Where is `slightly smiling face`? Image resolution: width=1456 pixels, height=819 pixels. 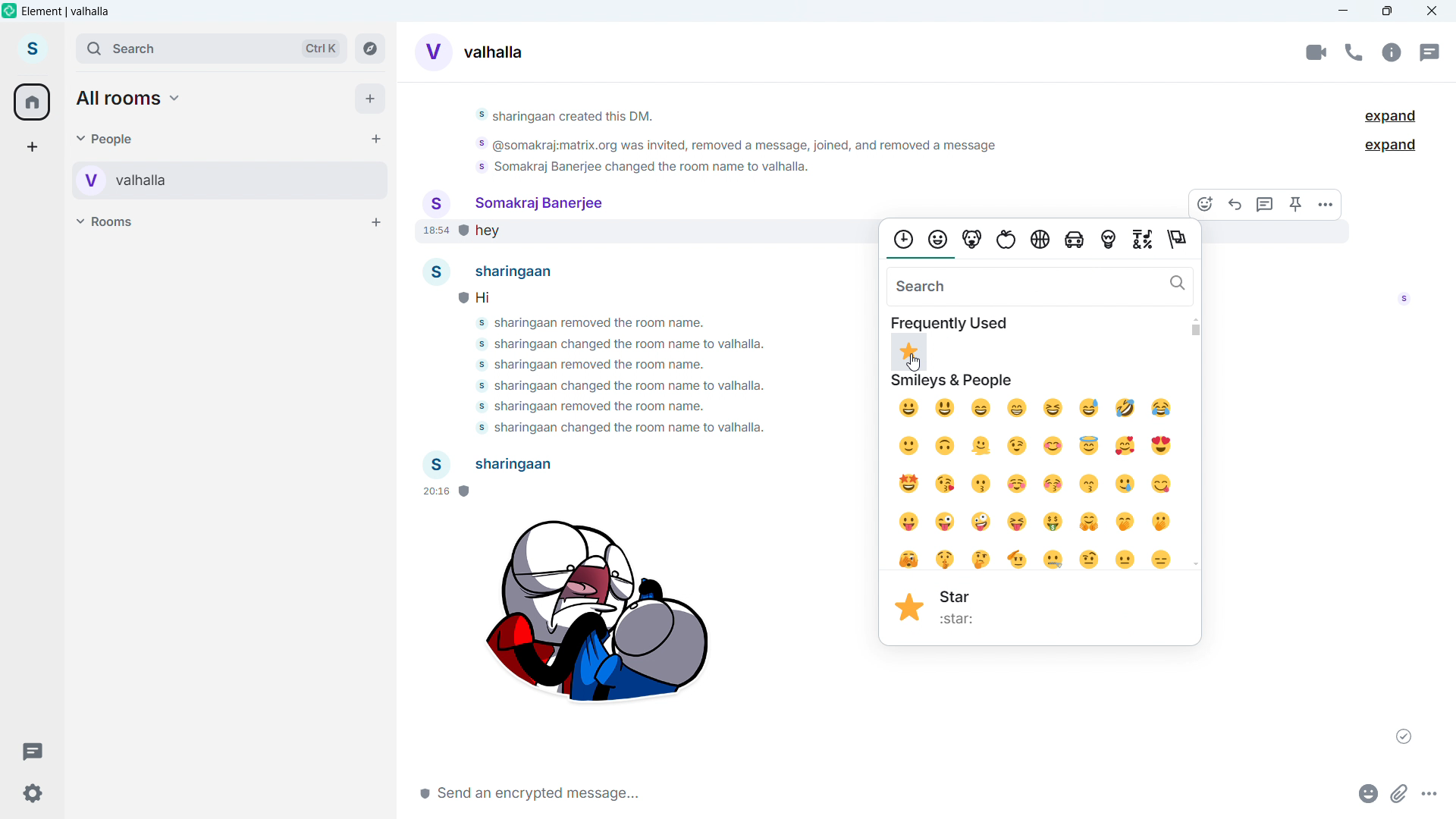 slightly smiling face is located at coordinates (911, 447).